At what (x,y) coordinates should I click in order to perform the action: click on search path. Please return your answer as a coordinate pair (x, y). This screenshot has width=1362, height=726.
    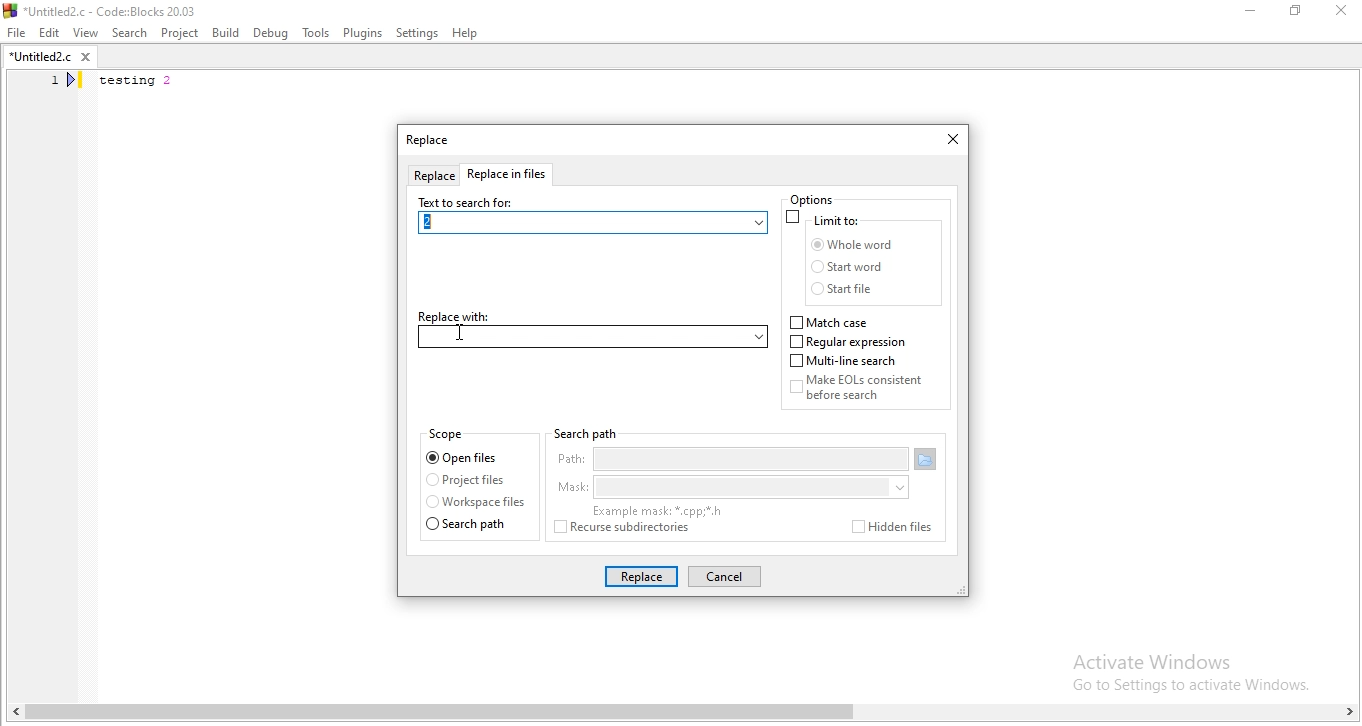
    Looking at the image, I should click on (584, 434).